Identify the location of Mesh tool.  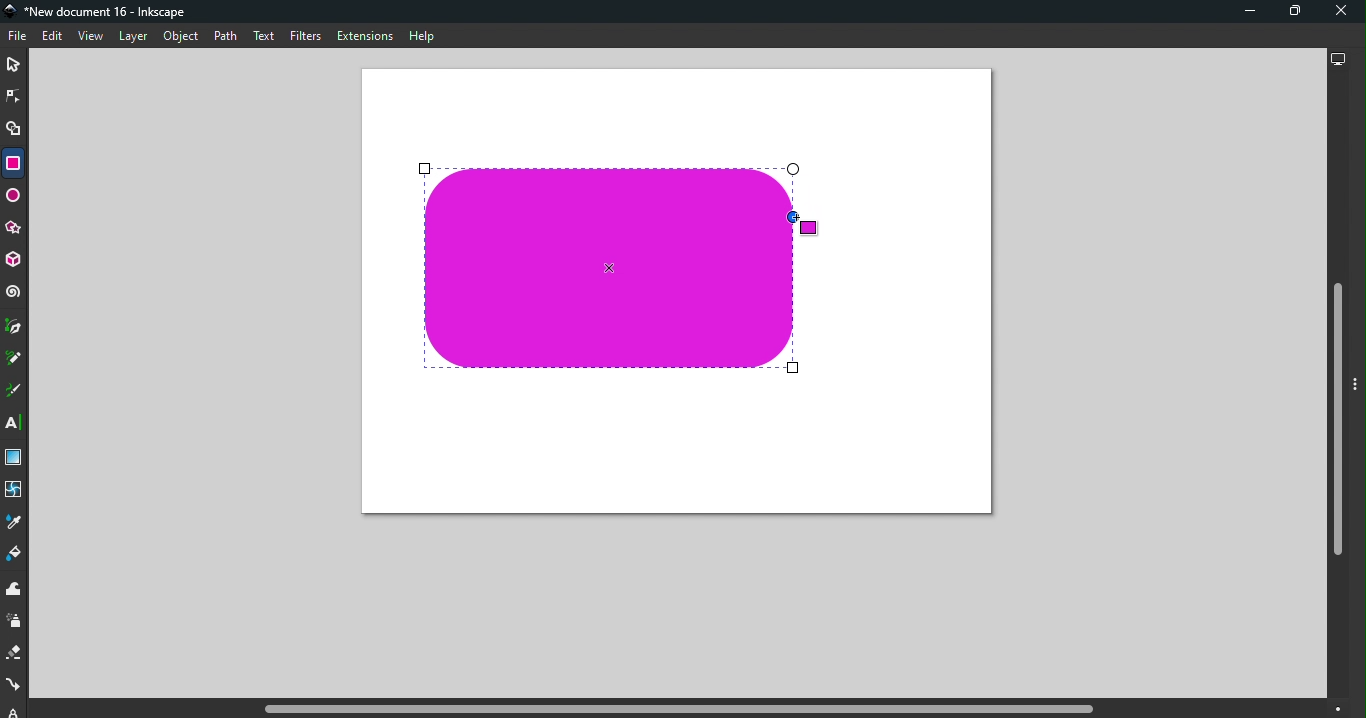
(15, 491).